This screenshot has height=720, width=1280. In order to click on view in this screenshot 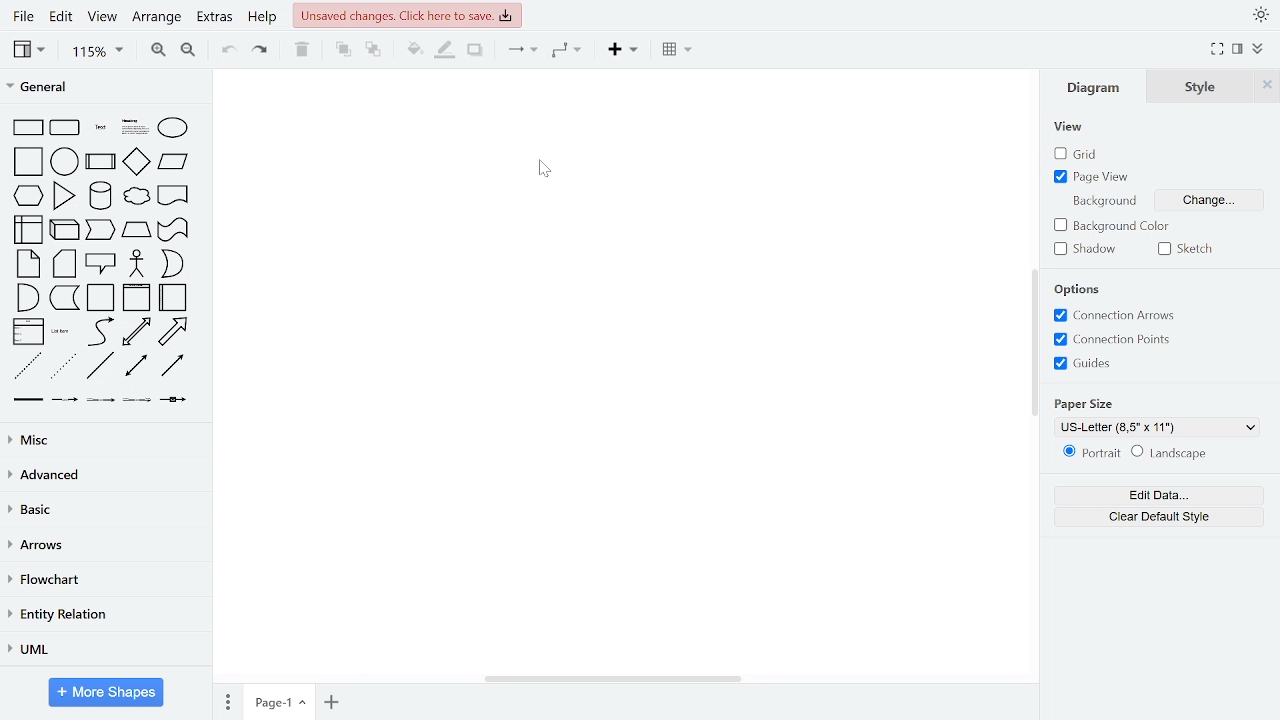, I will do `click(105, 17)`.